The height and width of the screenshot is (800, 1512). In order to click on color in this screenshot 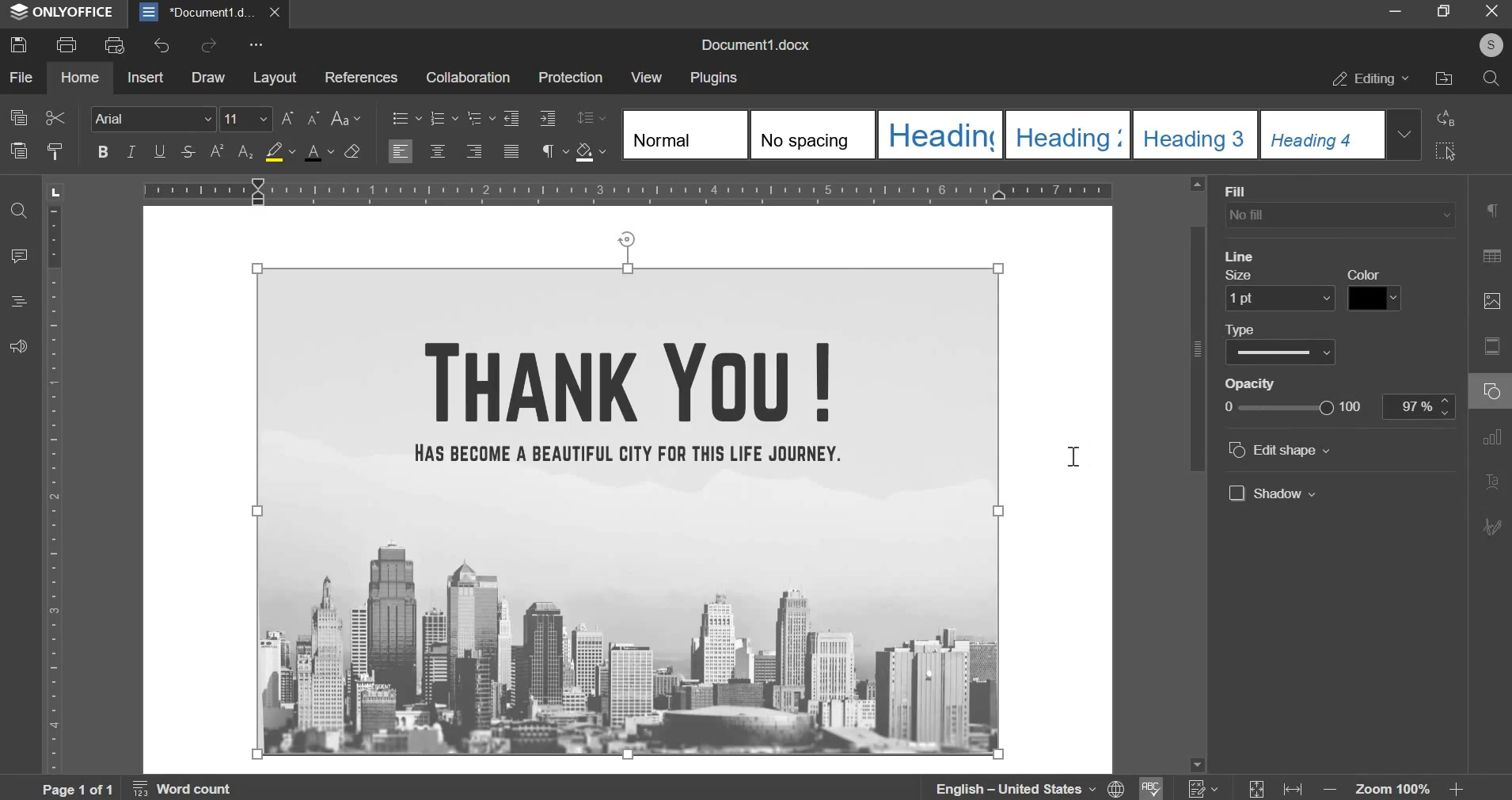, I will do `click(1374, 289)`.